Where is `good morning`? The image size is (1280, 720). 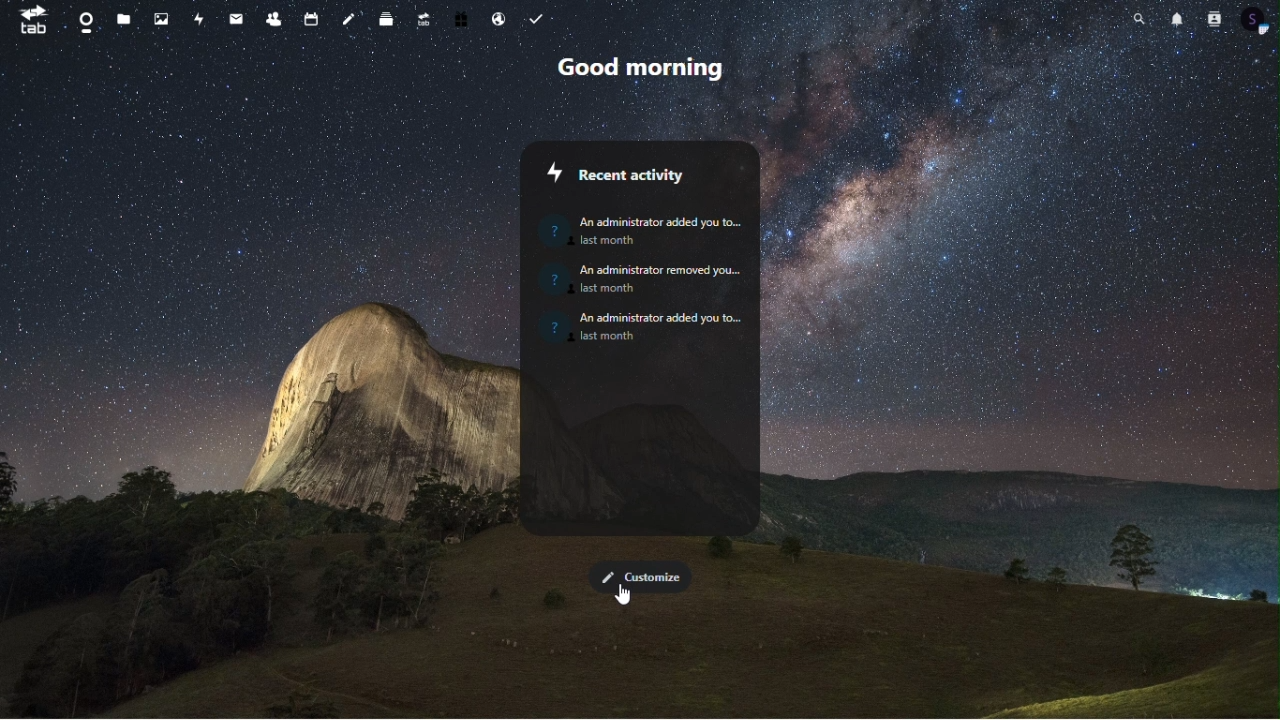
good morning is located at coordinates (644, 67).